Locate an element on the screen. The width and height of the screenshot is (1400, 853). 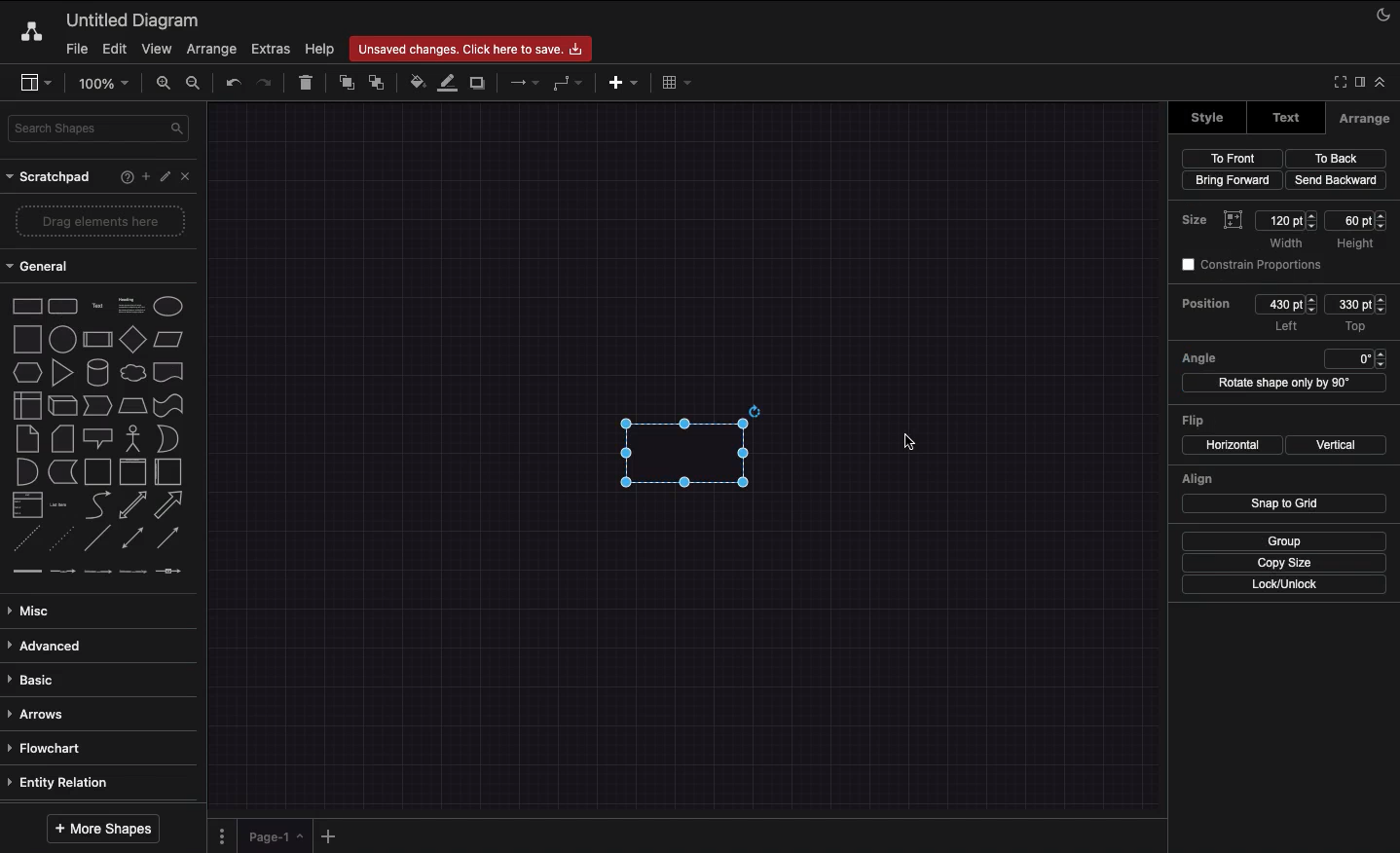
Line color is located at coordinates (447, 85).